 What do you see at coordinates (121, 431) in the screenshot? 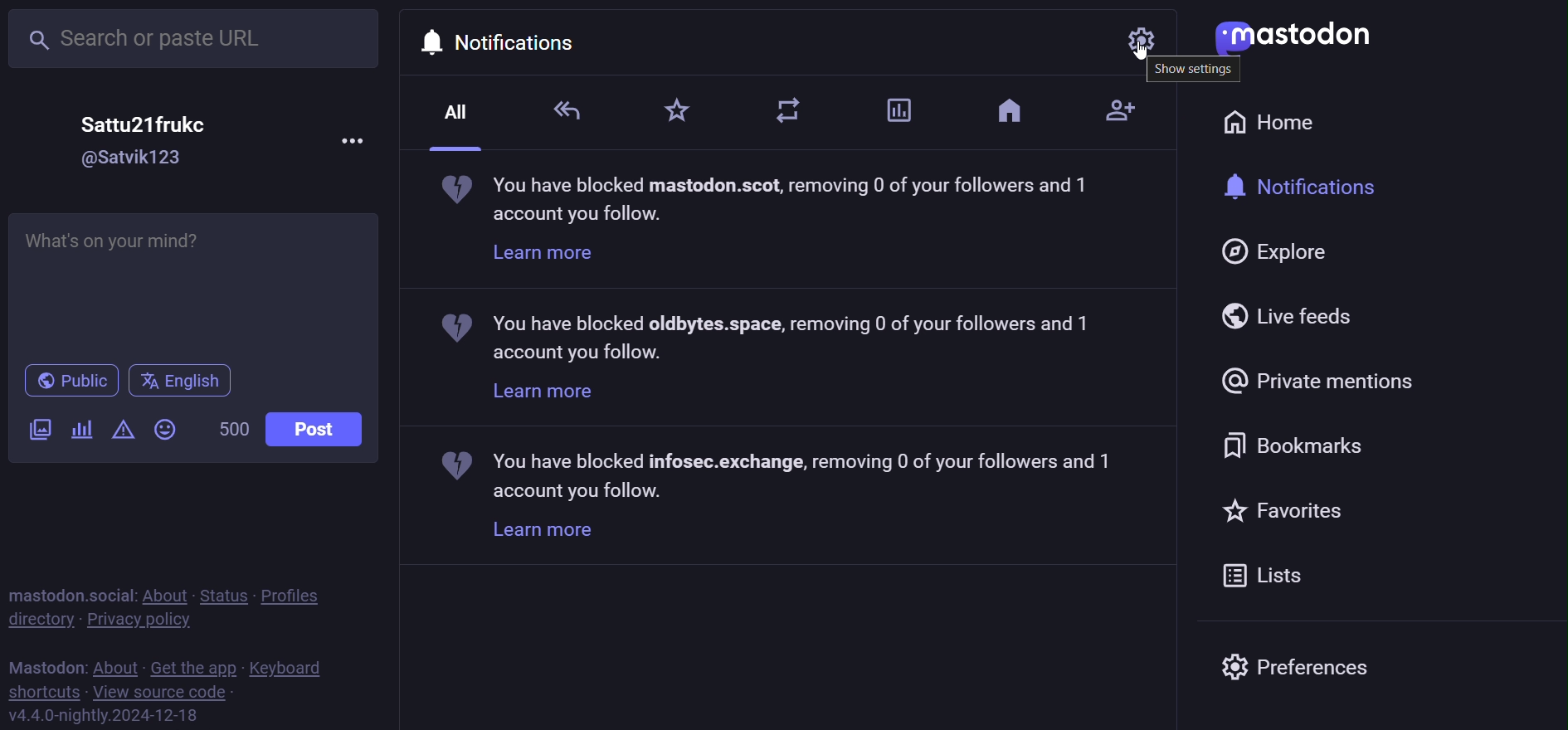
I see `content warning` at bounding box center [121, 431].